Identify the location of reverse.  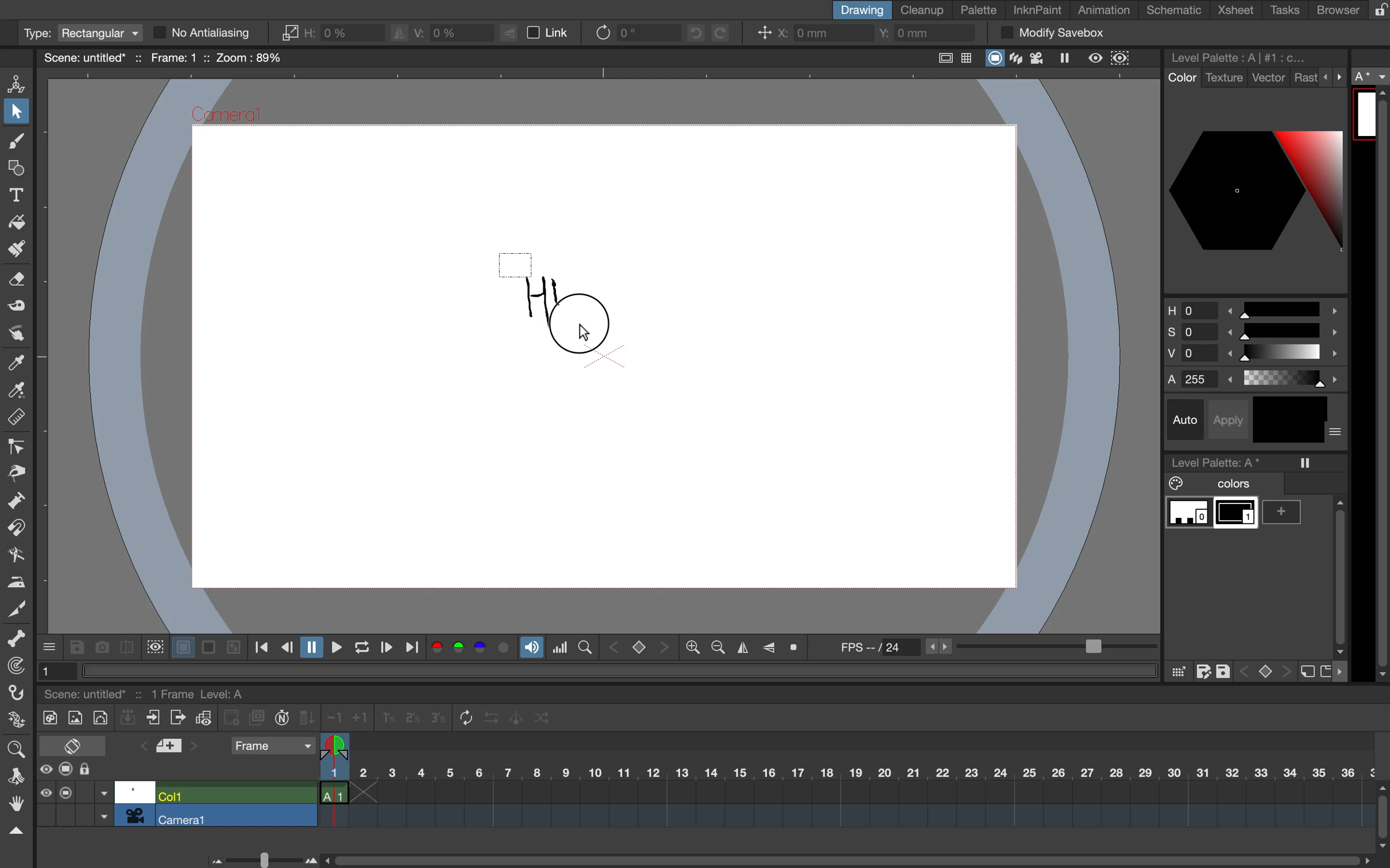
(491, 718).